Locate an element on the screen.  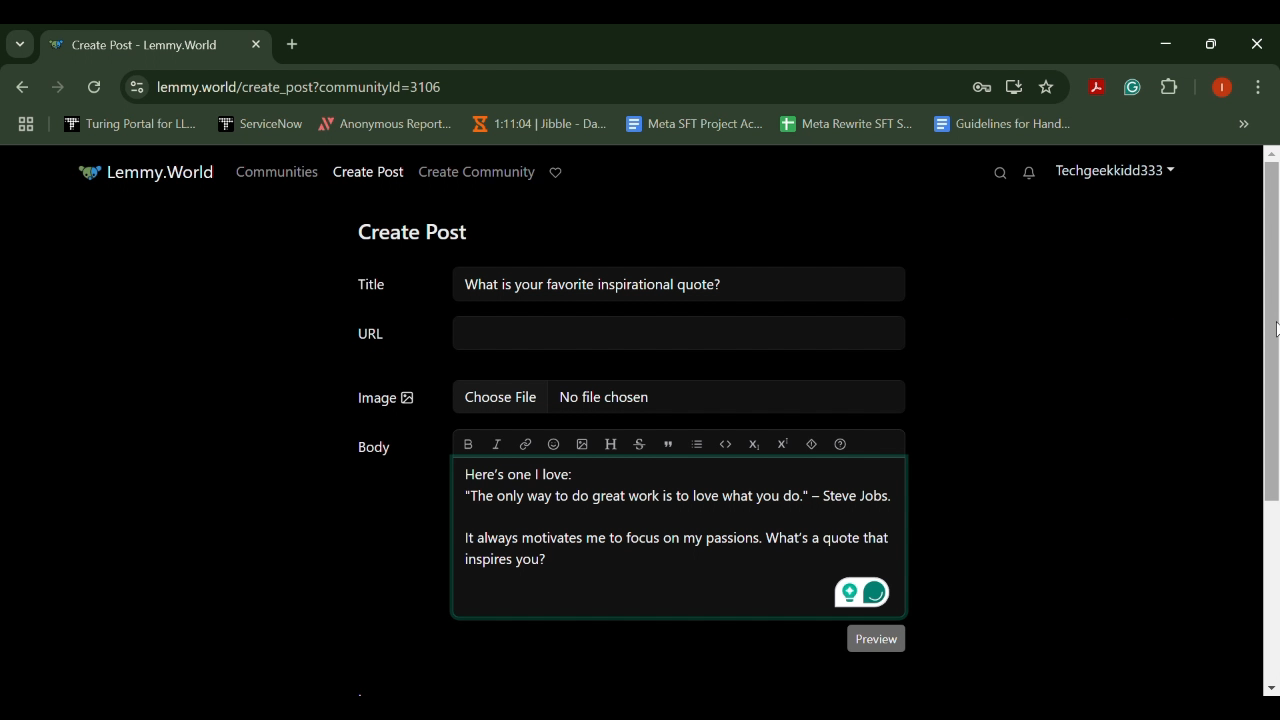
Extensions is located at coordinates (1170, 88).